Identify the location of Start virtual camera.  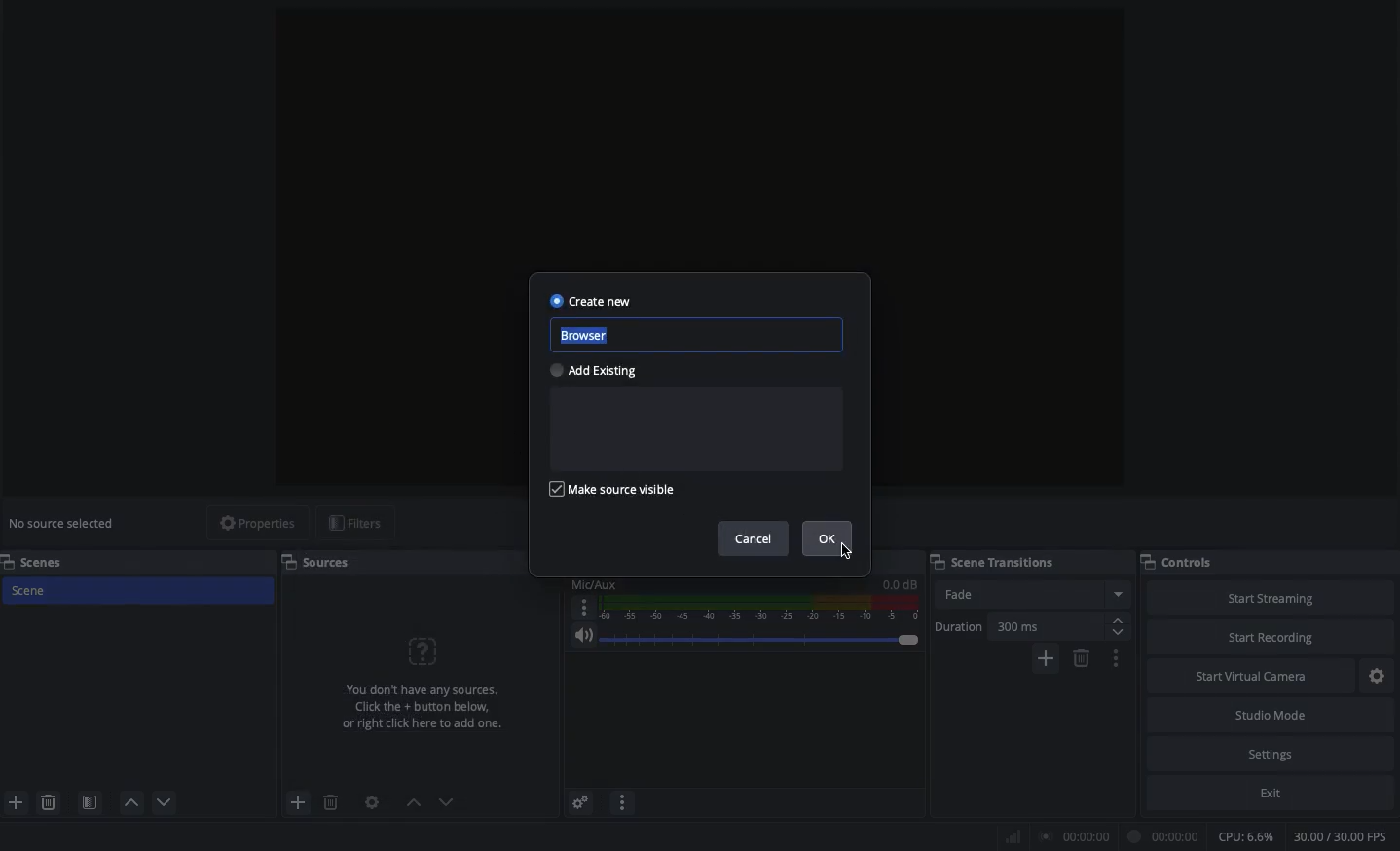
(1254, 674).